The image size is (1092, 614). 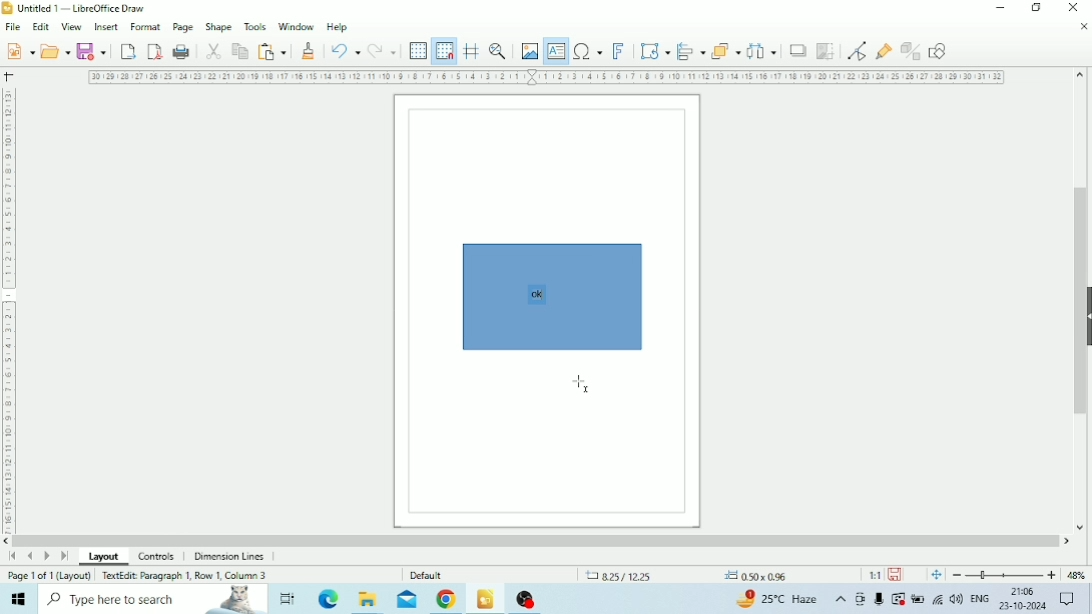 I want to click on Export Directly as PDF, so click(x=155, y=52).